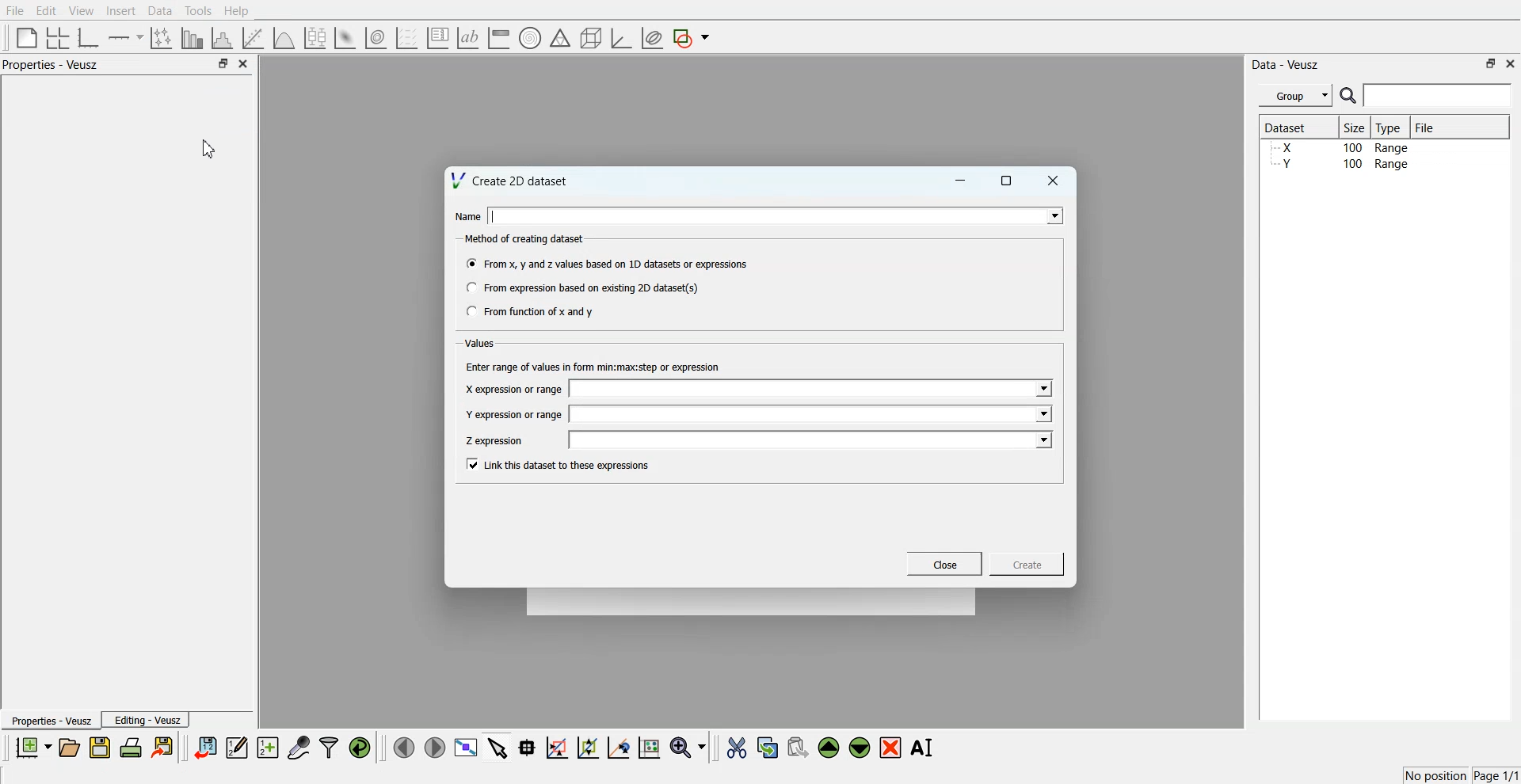  What do you see at coordinates (1511, 63) in the screenshot?
I see `Close` at bounding box center [1511, 63].